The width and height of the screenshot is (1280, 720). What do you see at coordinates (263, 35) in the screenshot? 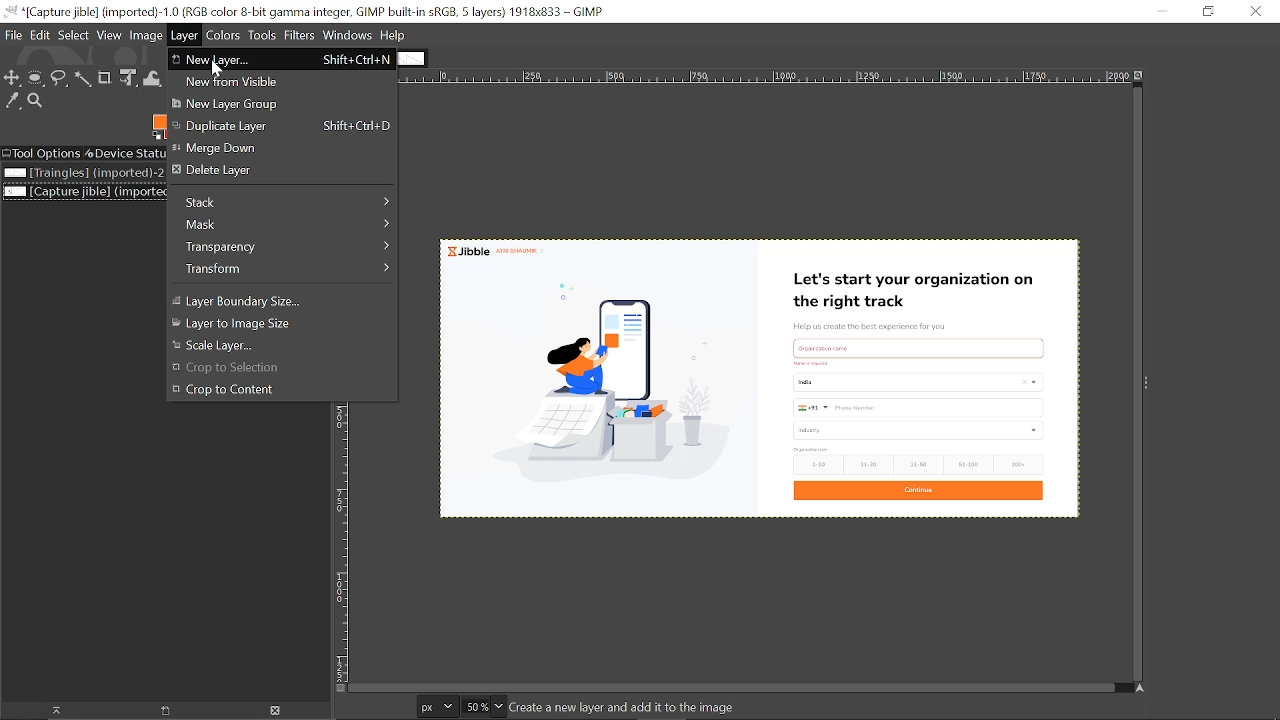
I see `Tools` at bounding box center [263, 35].